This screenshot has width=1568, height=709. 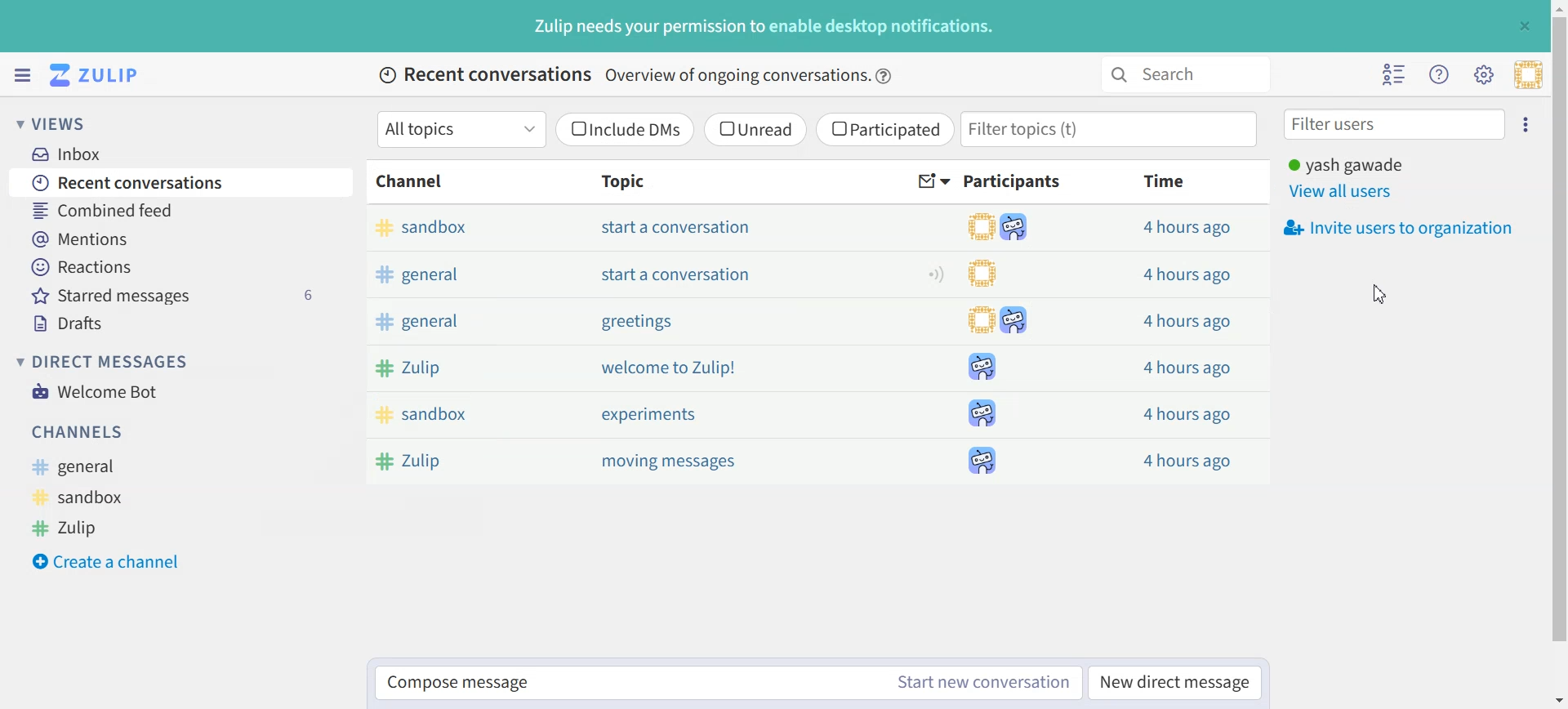 I want to click on Text, so click(x=765, y=26).